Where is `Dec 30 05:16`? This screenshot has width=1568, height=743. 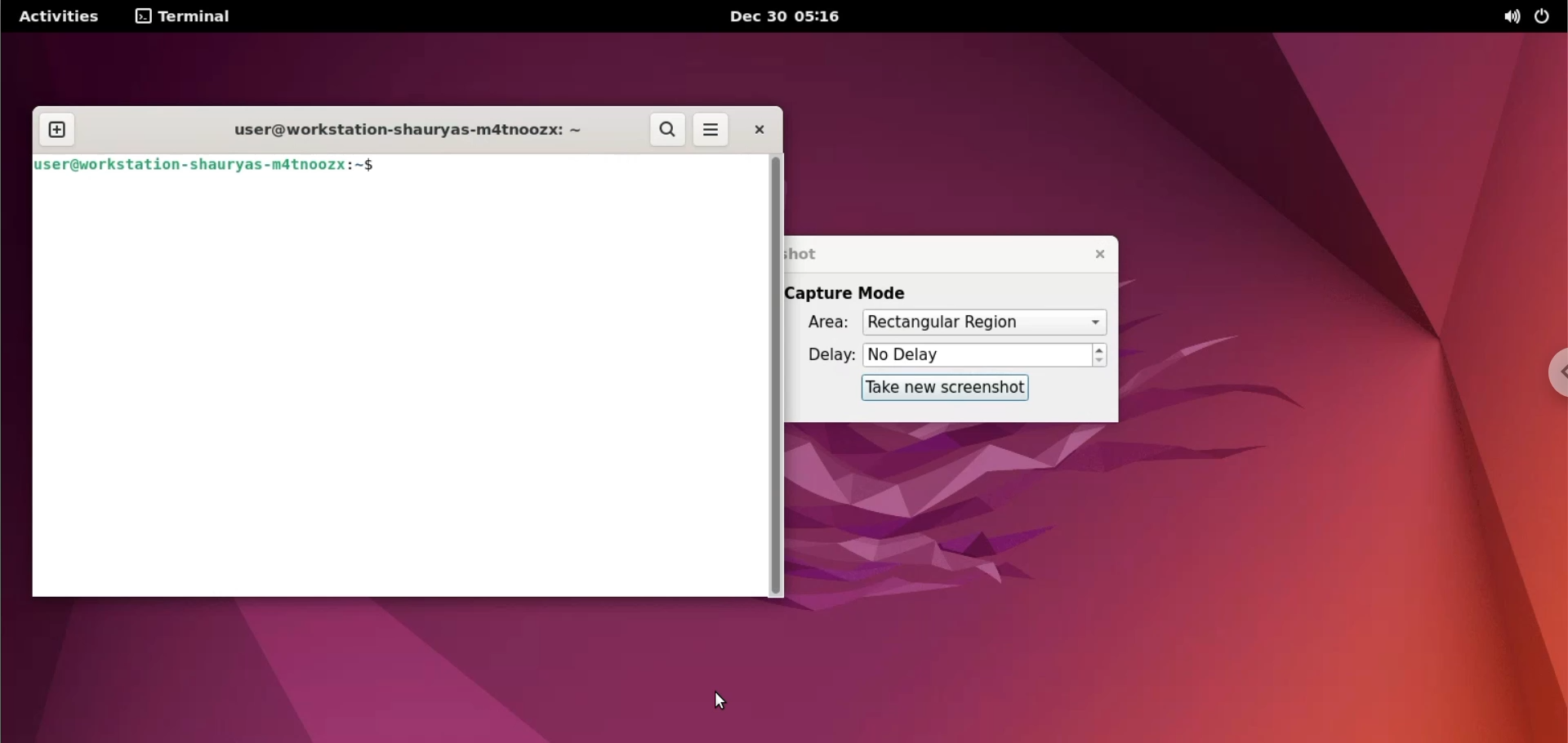 Dec 30 05:16 is located at coordinates (792, 16).